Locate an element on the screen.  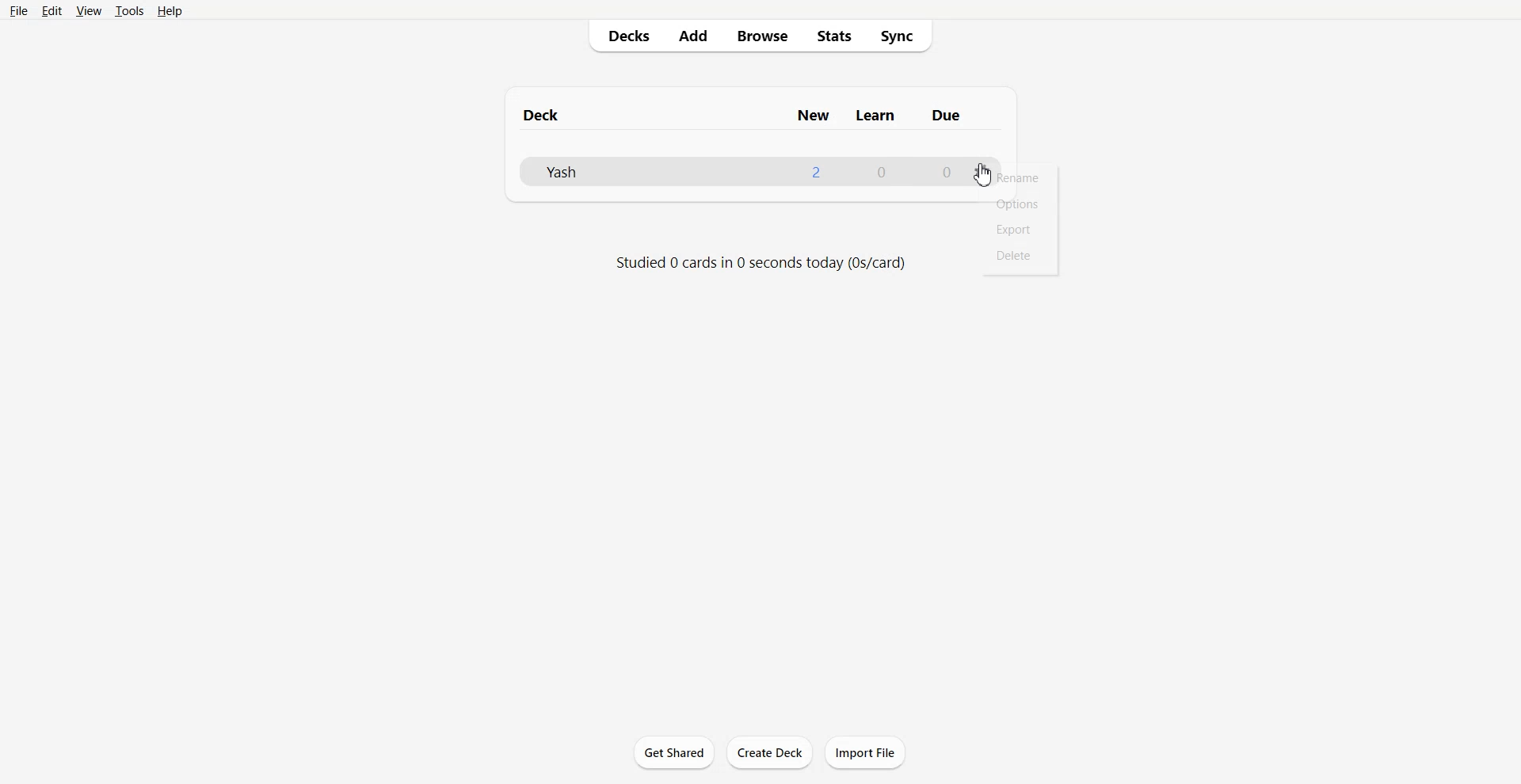
Get Shared is located at coordinates (674, 752).